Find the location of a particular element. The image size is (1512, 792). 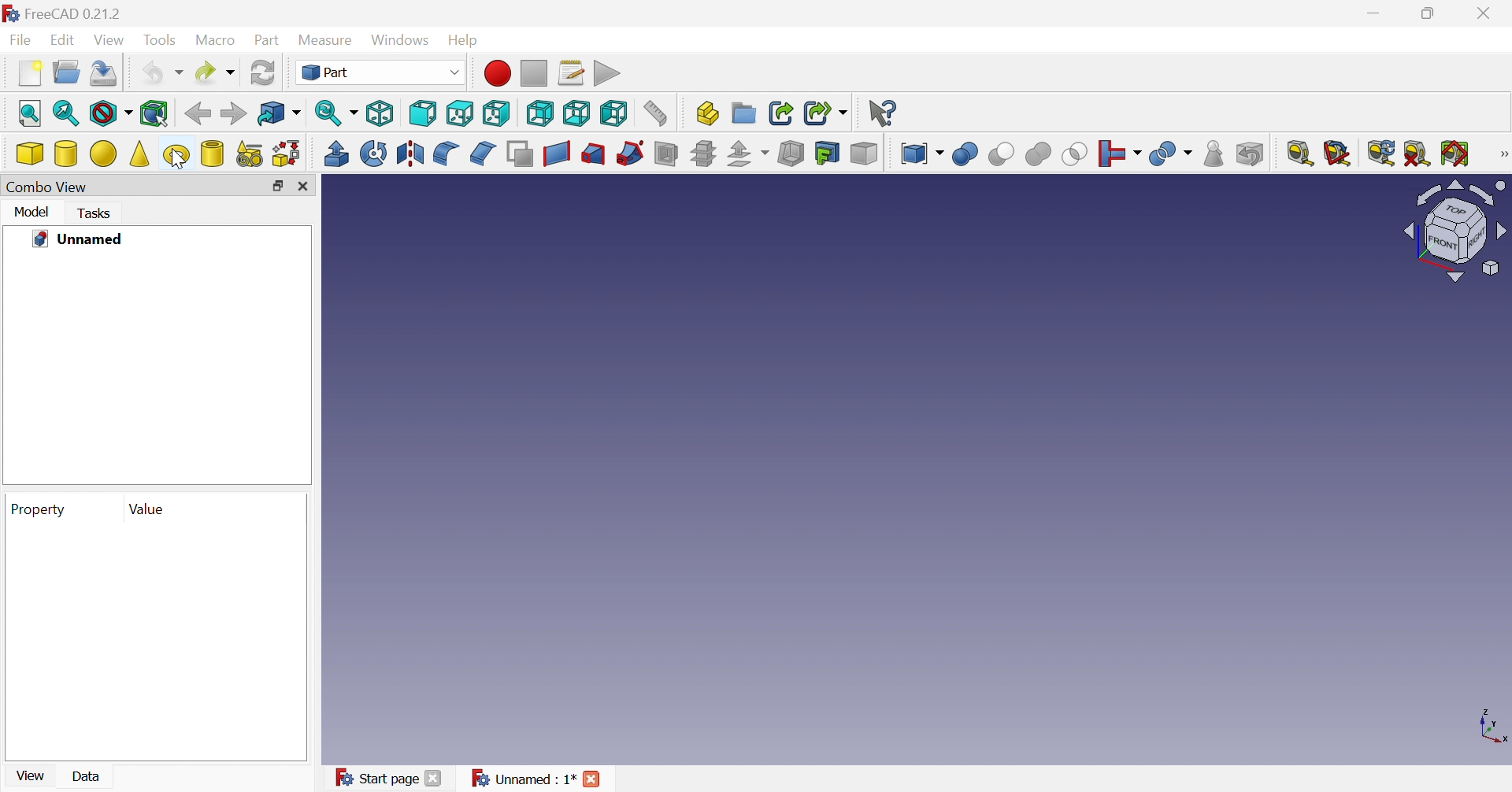

What's this? is located at coordinates (884, 112).